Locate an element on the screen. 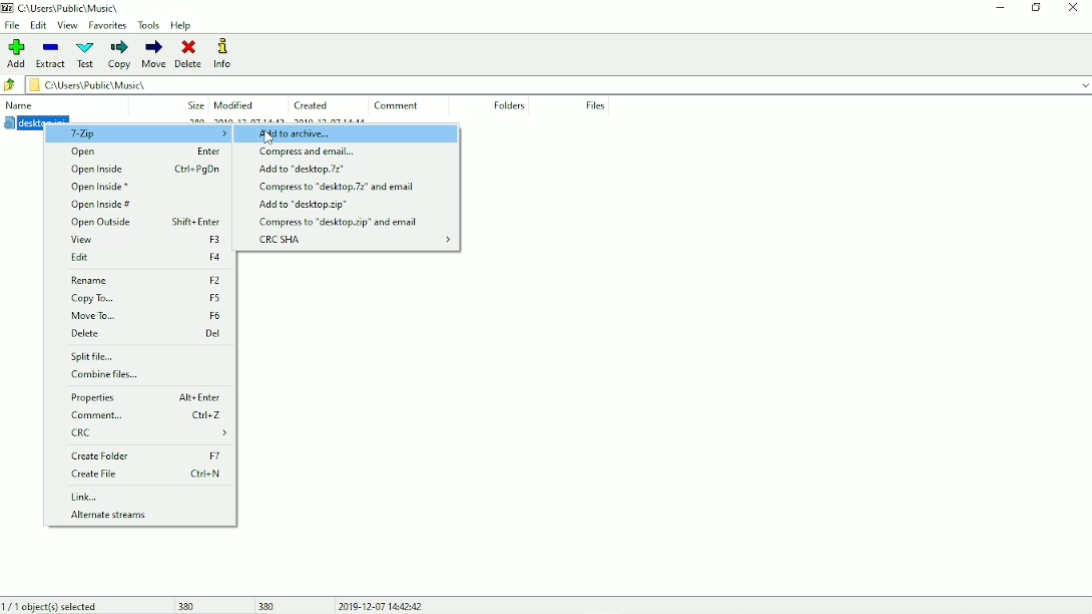 The width and height of the screenshot is (1092, 614). Modified is located at coordinates (235, 105).